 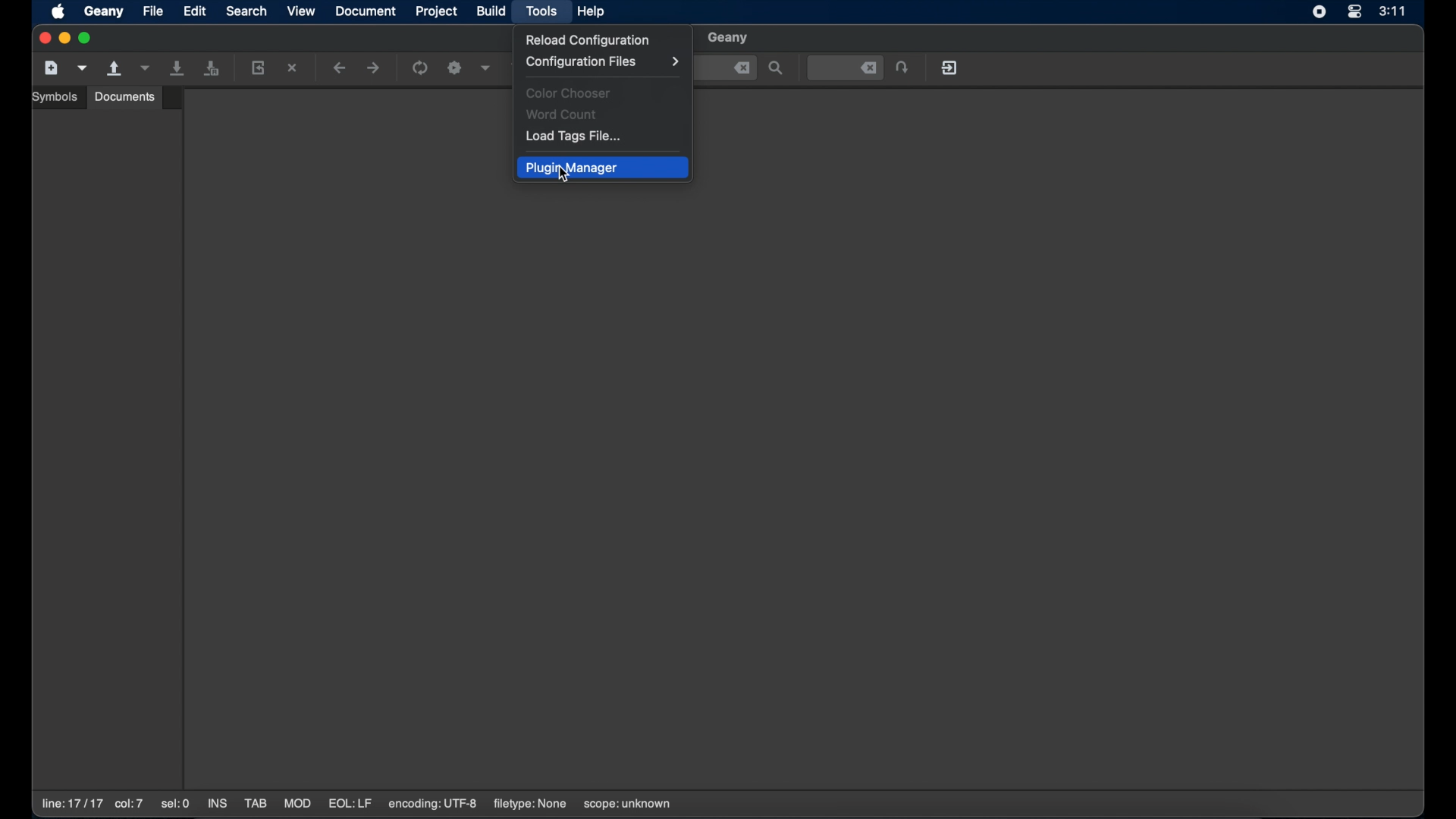 What do you see at coordinates (83, 68) in the screenshot?
I see `create a new file from template` at bounding box center [83, 68].